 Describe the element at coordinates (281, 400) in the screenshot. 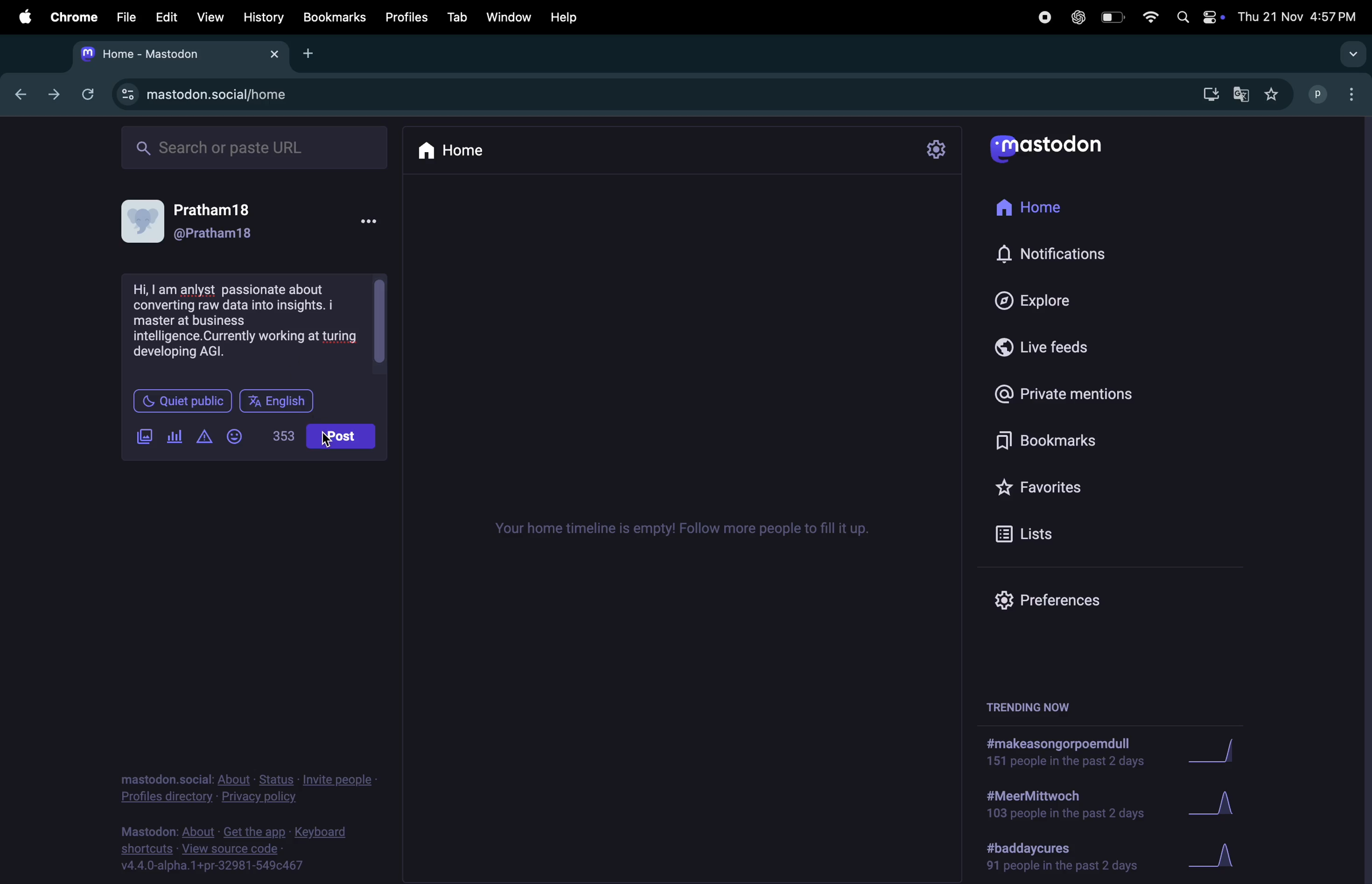

I see `language` at that location.